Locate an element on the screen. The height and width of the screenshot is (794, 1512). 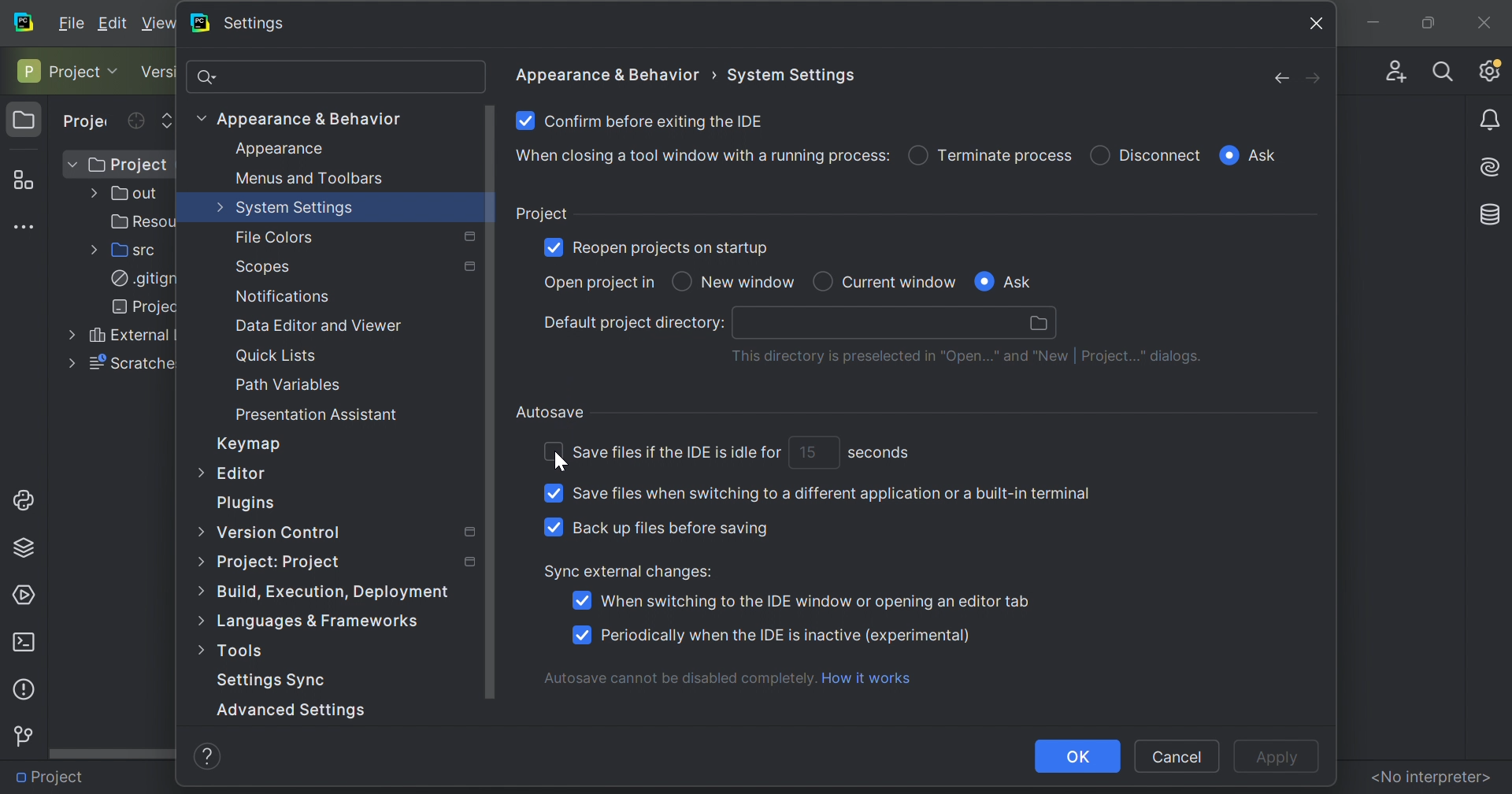
Checkbox is located at coordinates (523, 120).